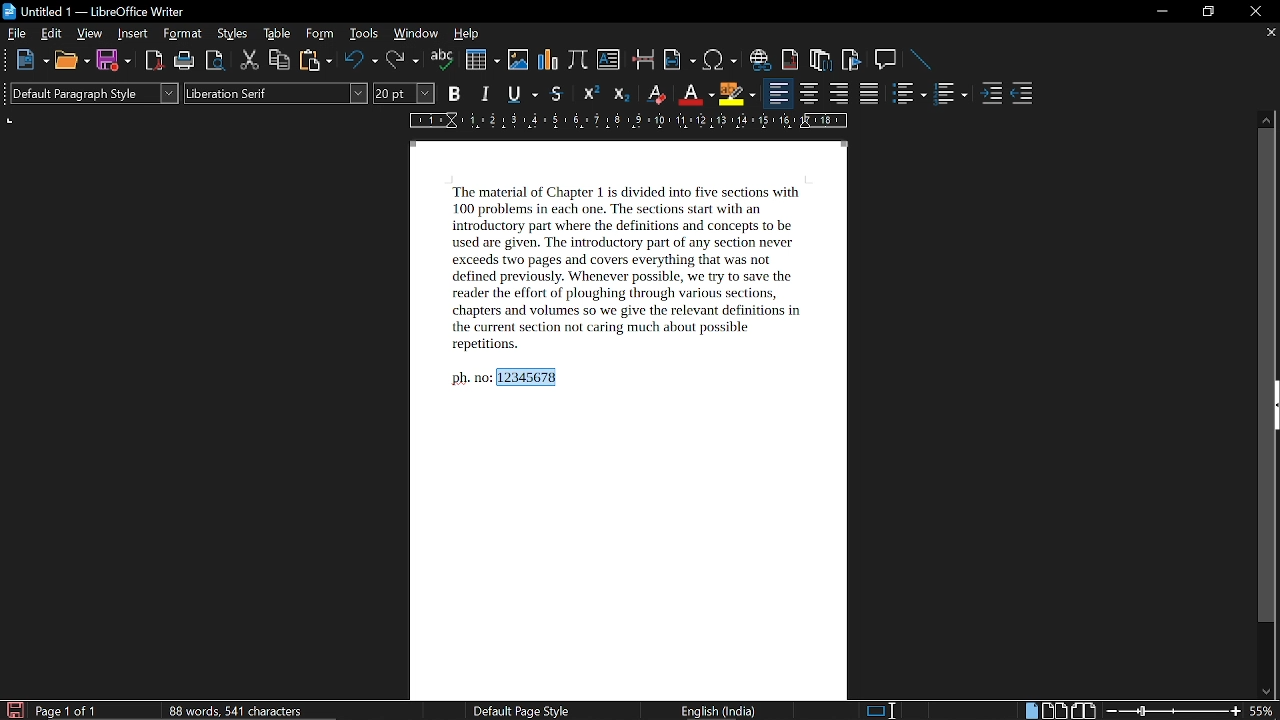  Describe the element at coordinates (992, 94) in the screenshot. I see `increase indent` at that location.